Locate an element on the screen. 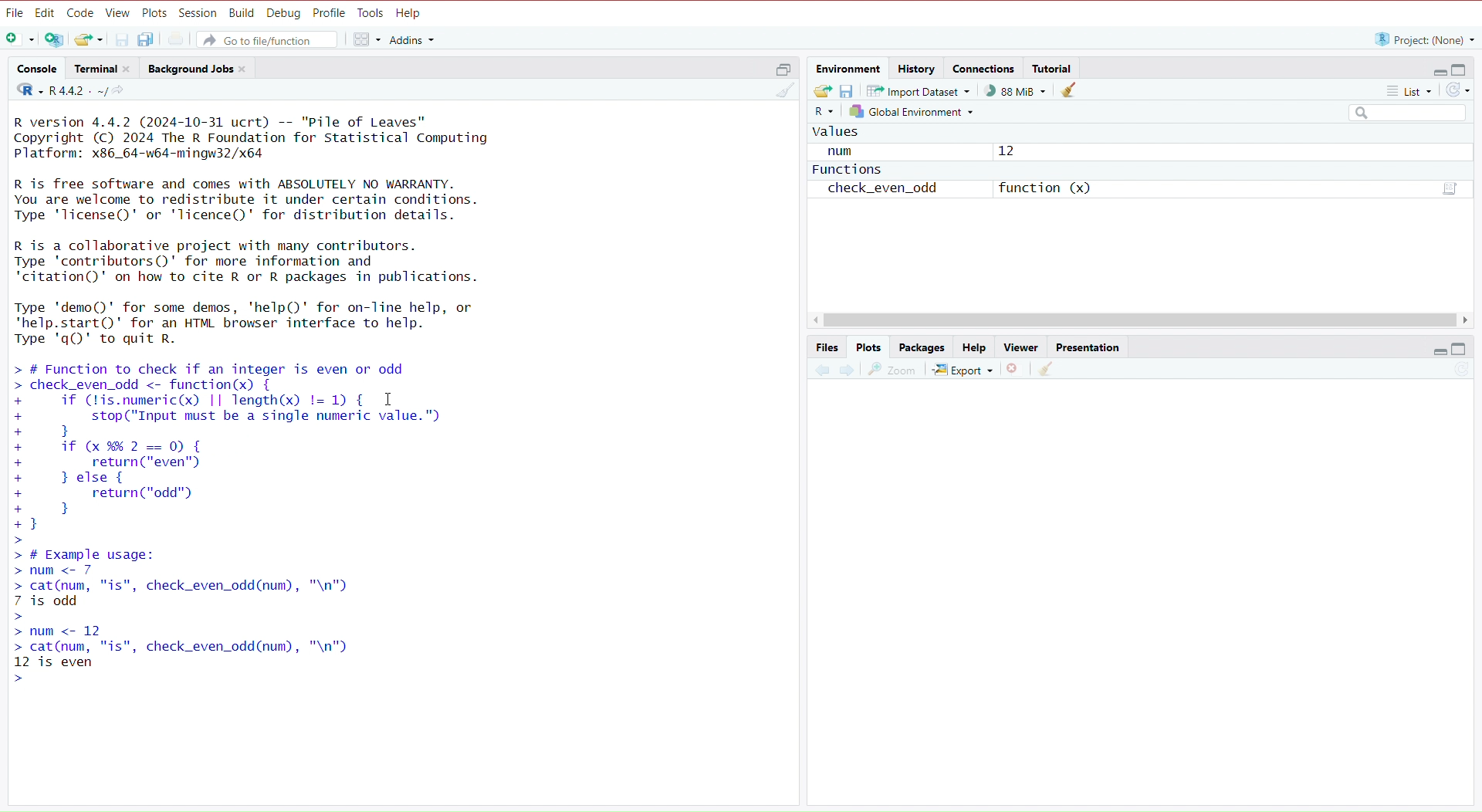  project (None) is located at coordinates (1423, 39).